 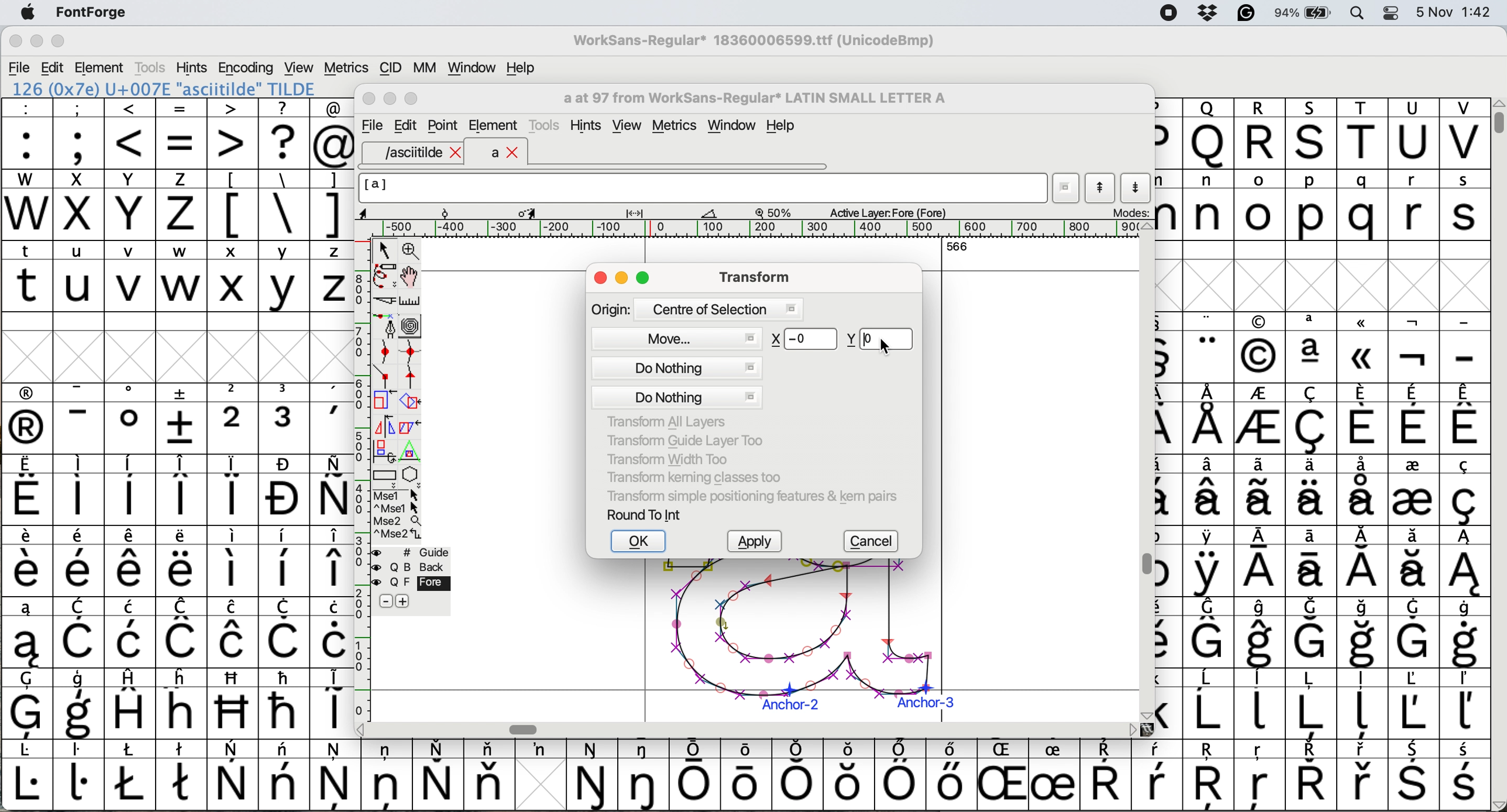 What do you see at coordinates (1465, 205) in the screenshot?
I see `s` at bounding box center [1465, 205].